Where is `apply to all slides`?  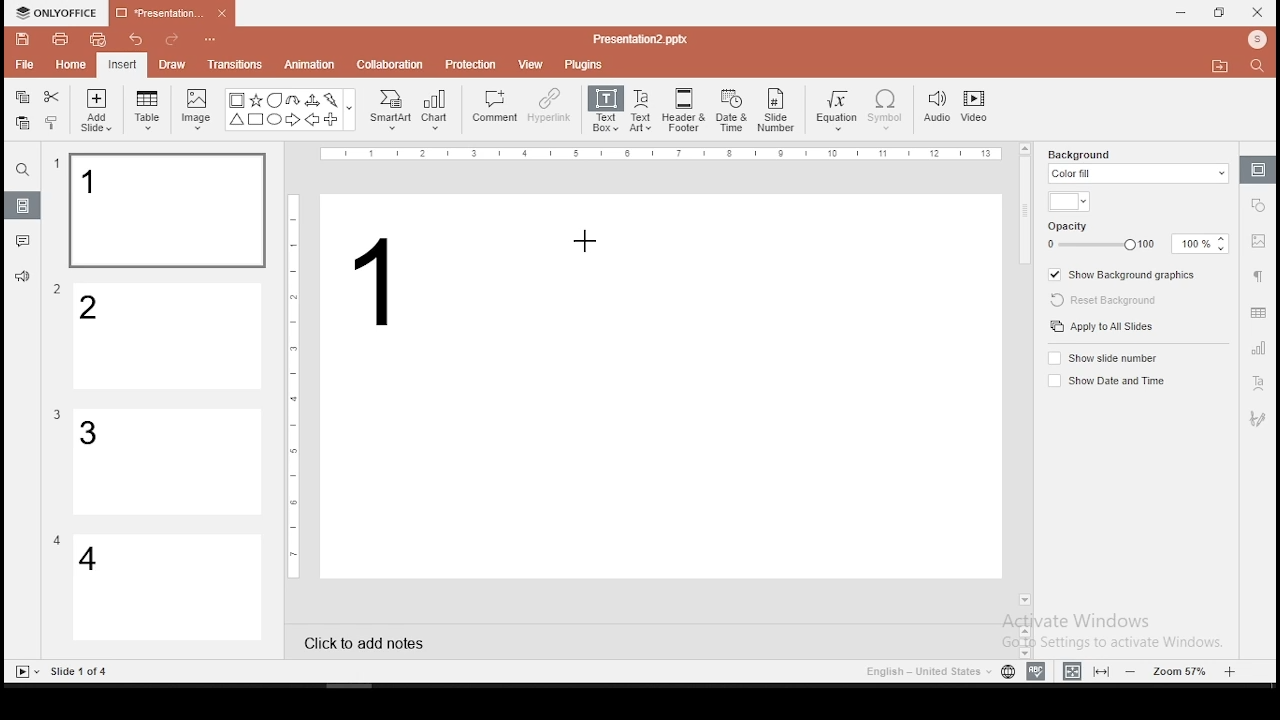
apply to all slides is located at coordinates (1101, 328).